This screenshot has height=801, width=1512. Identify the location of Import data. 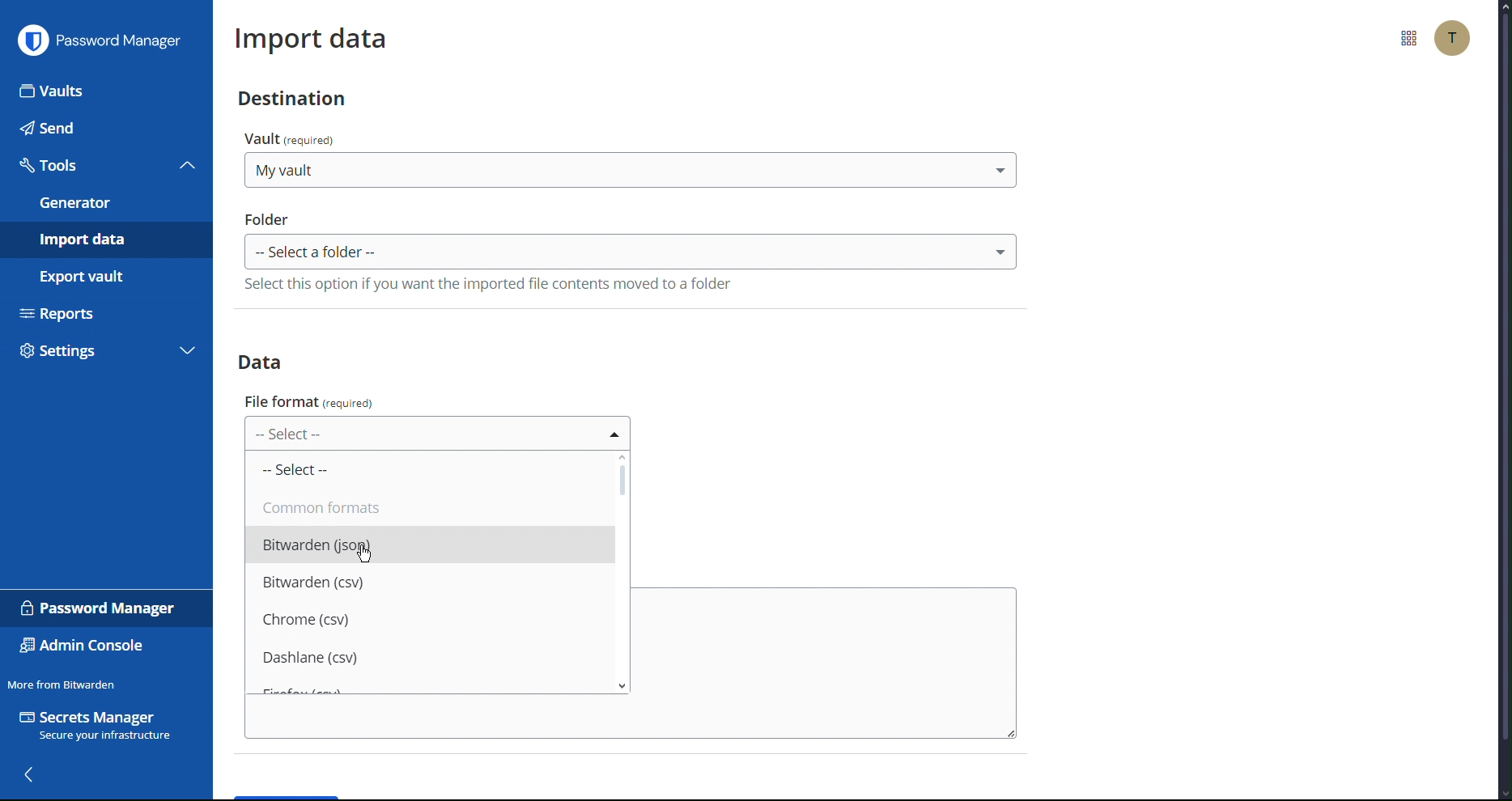
(105, 239).